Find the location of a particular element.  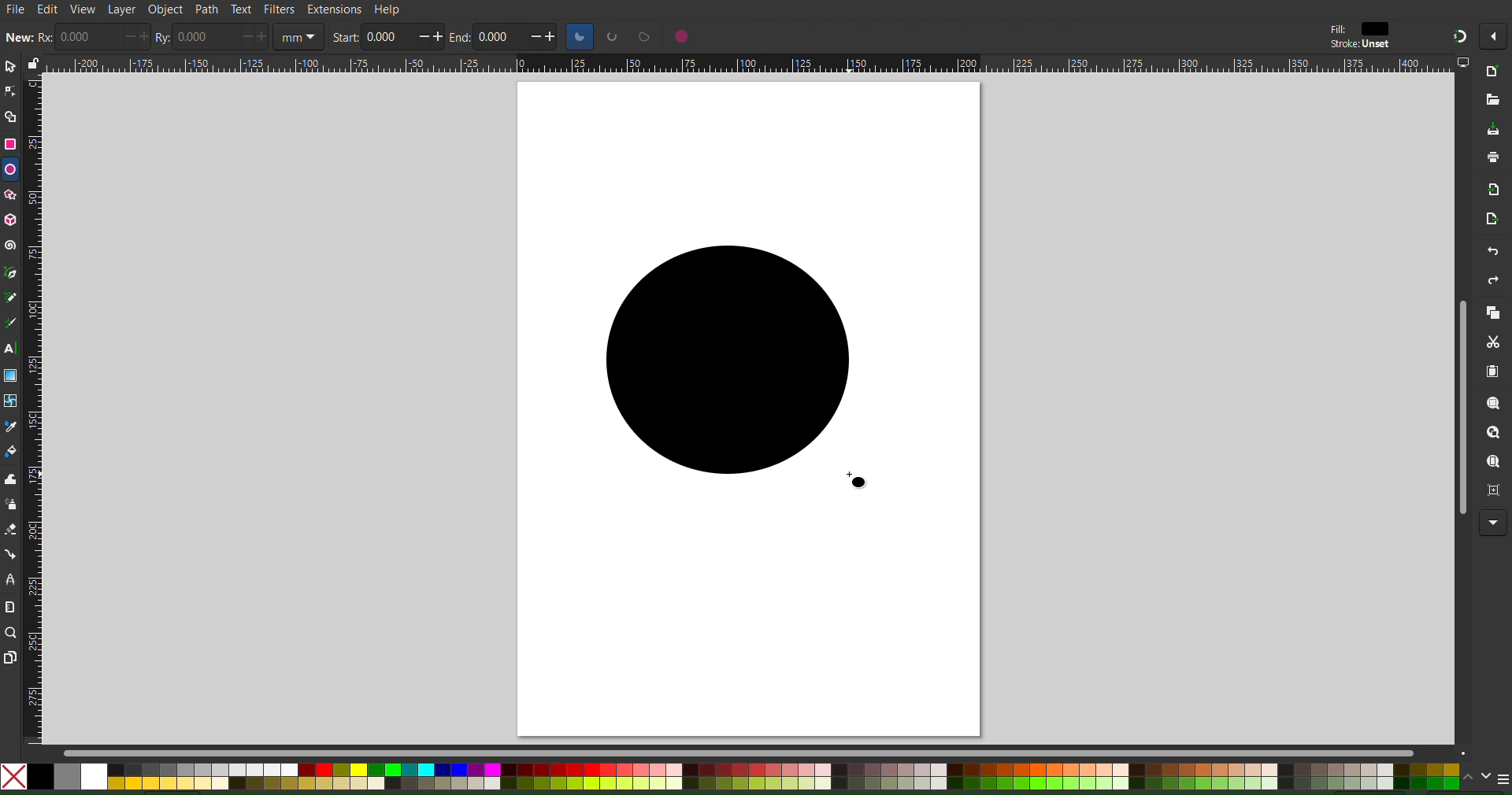

Paste is located at coordinates (1494, 372).